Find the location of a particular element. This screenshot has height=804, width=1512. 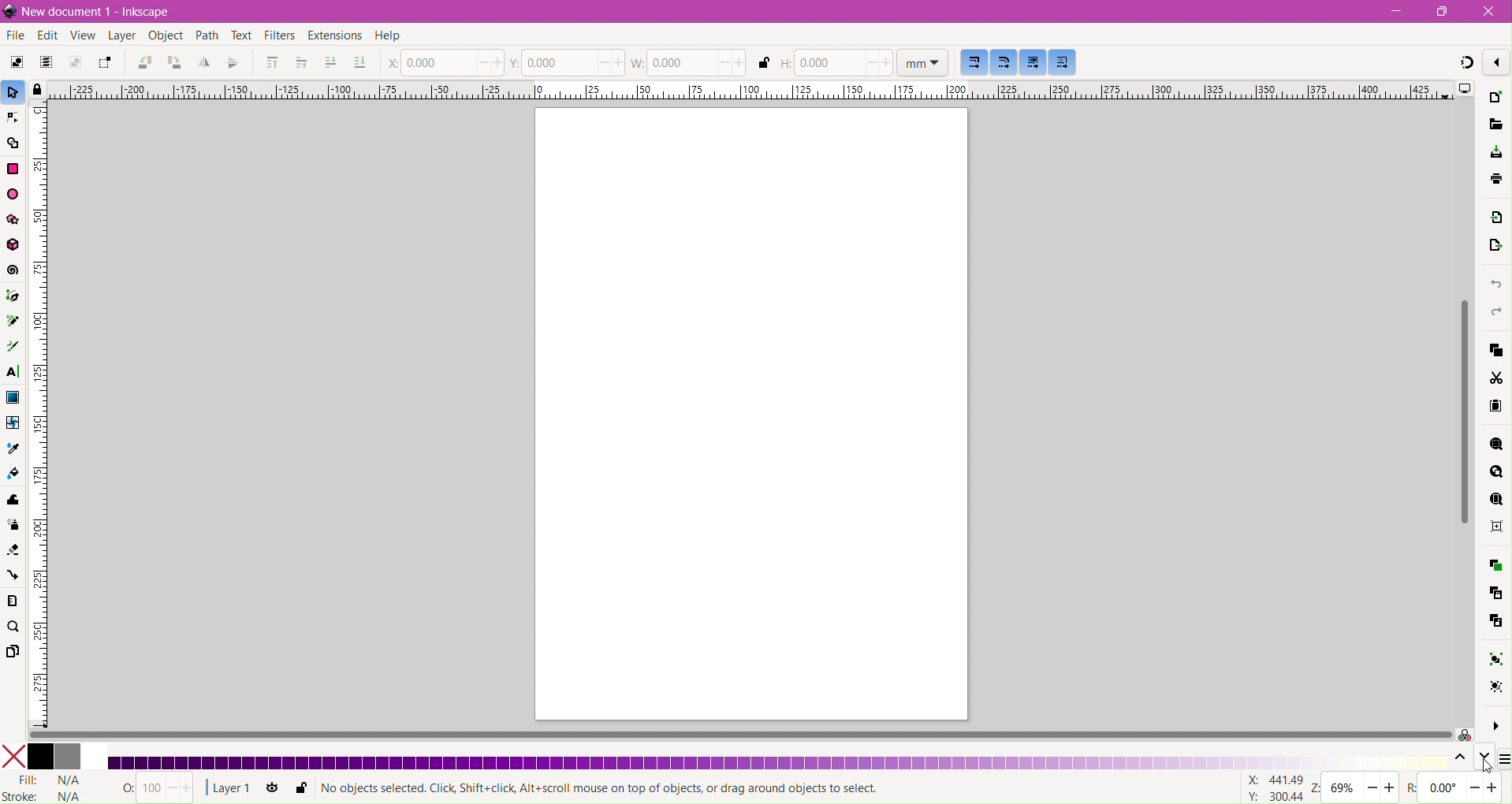

Zoom Drawing is located at coordinates (1497, 471).